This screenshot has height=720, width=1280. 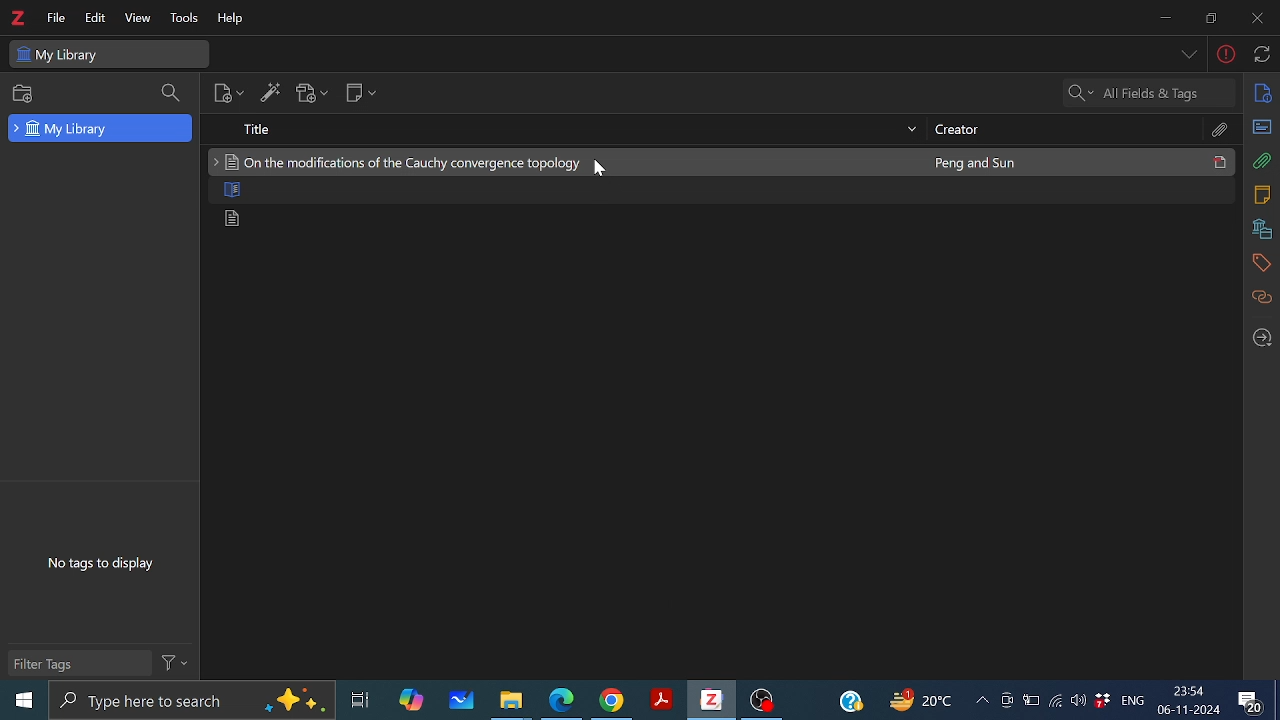 What do you see at coordinates (562, 128) in the screenshot?
I see `Title` at bounding box center [562, 128].